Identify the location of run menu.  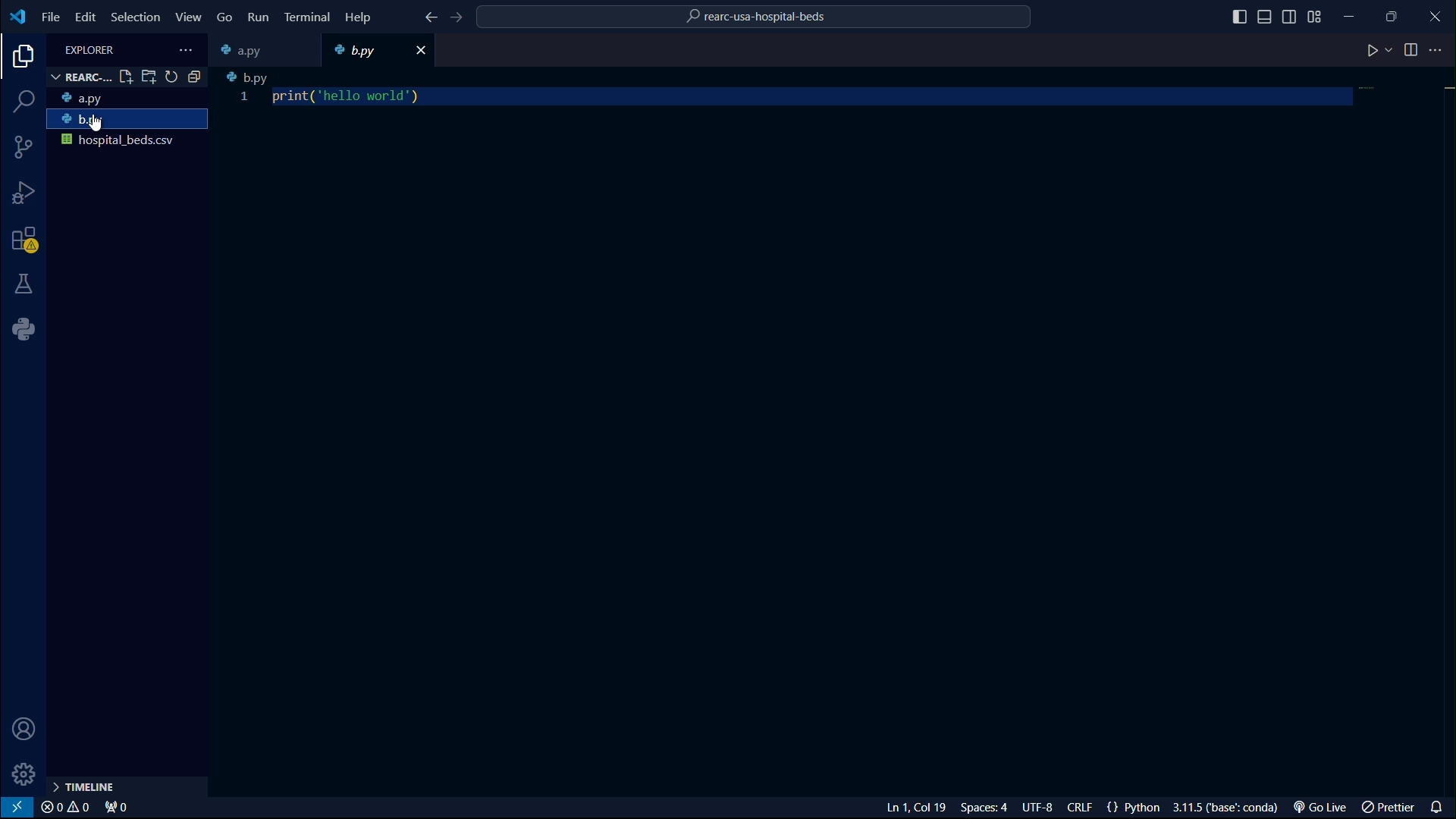
(259, 17).